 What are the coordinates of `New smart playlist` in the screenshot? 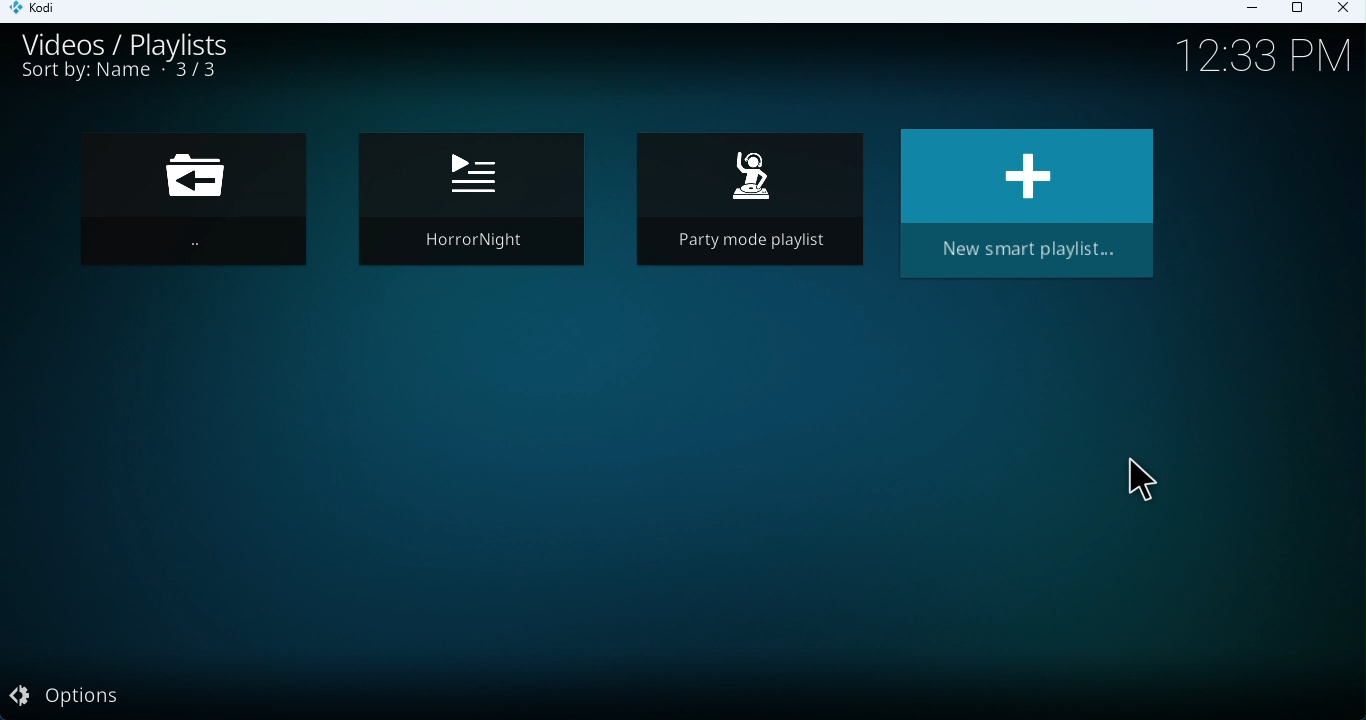 It's located at (1027, 210).